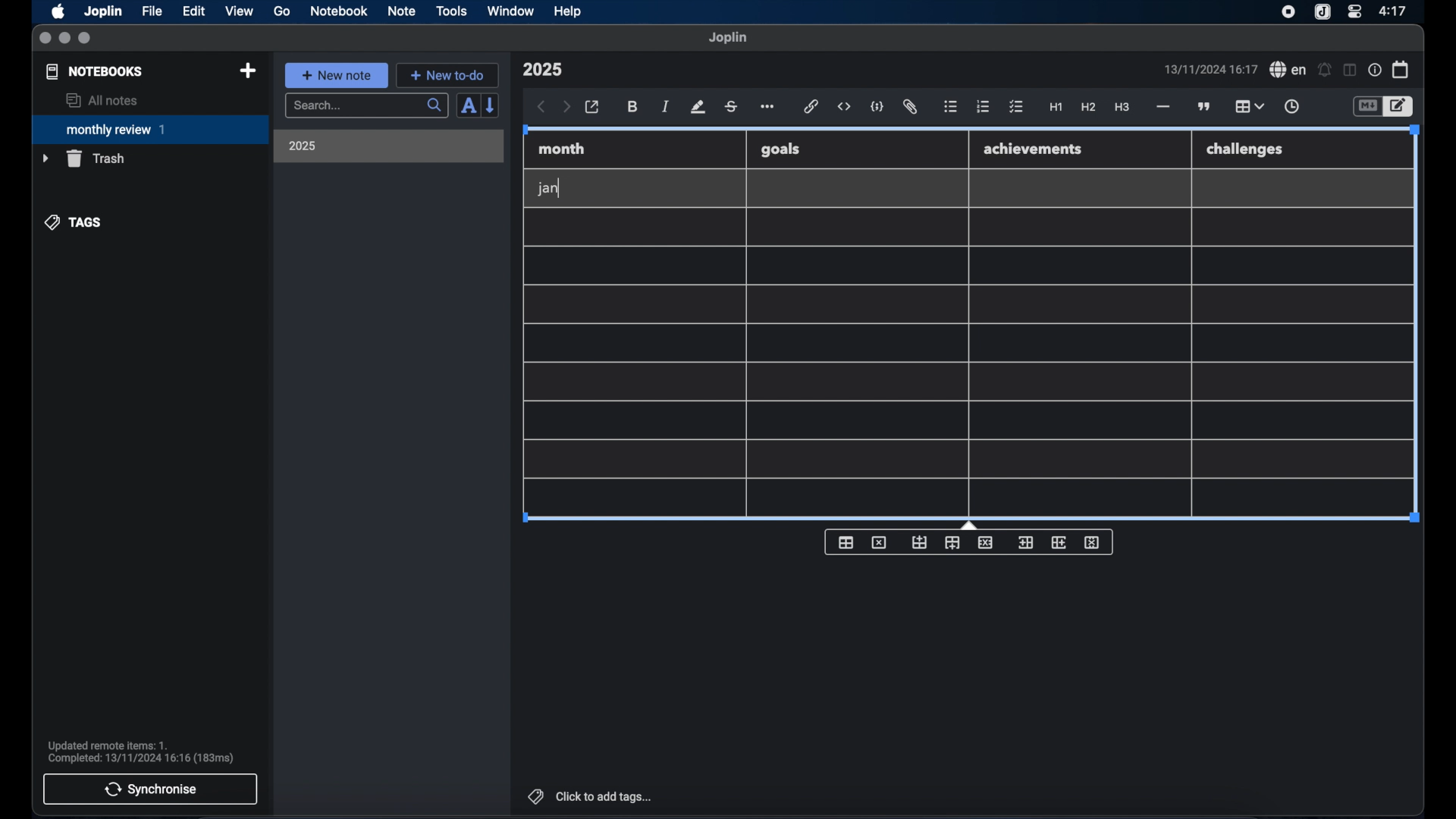 The height and width of the screenshot is (819, 1456). I want to click on inline code, so click(844, 107).